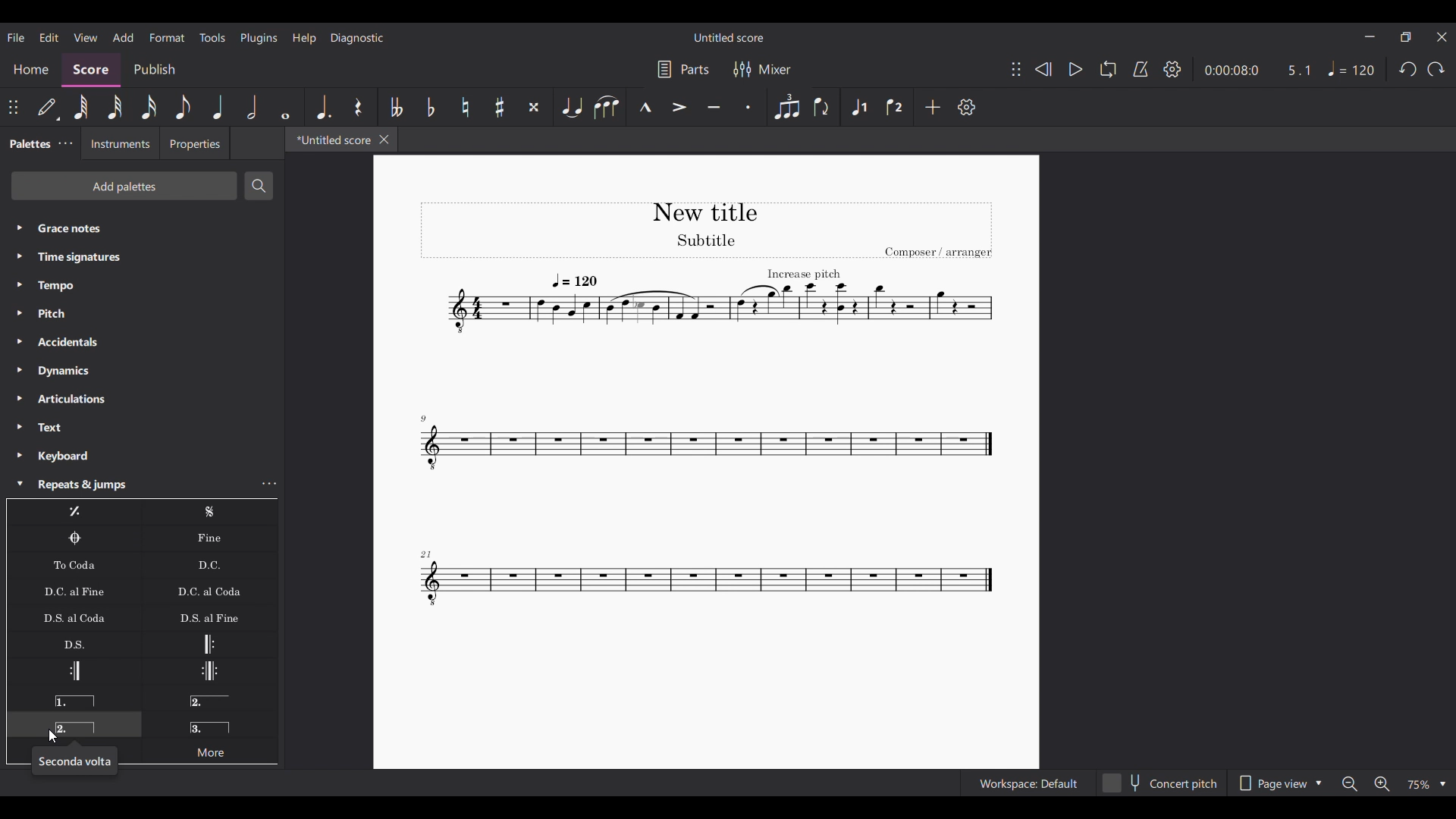 This screenshot has width=1456, height=819. What do you see at coordinates (30, 69) in the screenshot?
I see `Home section` at bounding box center [30, 69].